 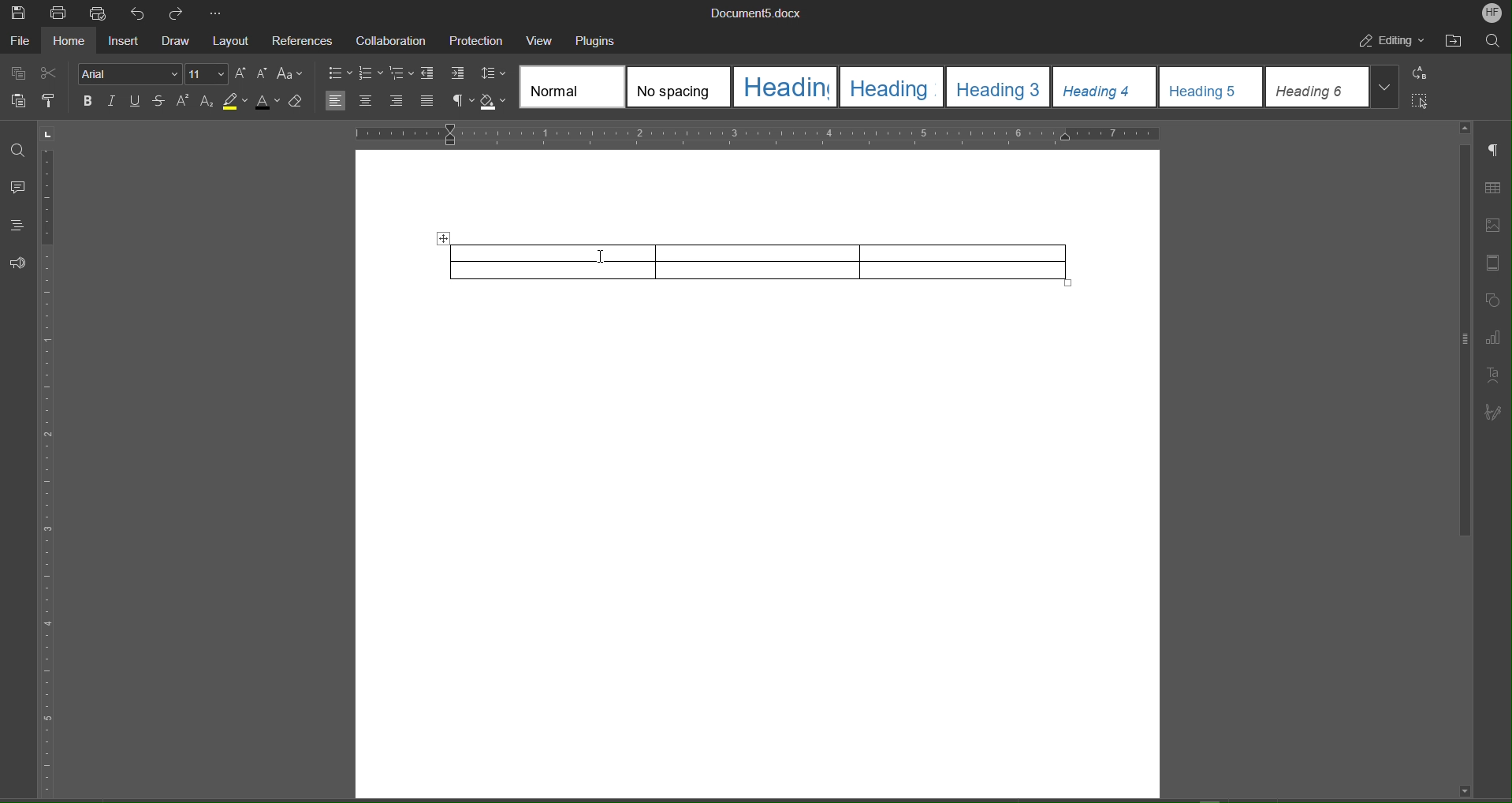 I want to click on Text Color, so click(x=268, y=101).